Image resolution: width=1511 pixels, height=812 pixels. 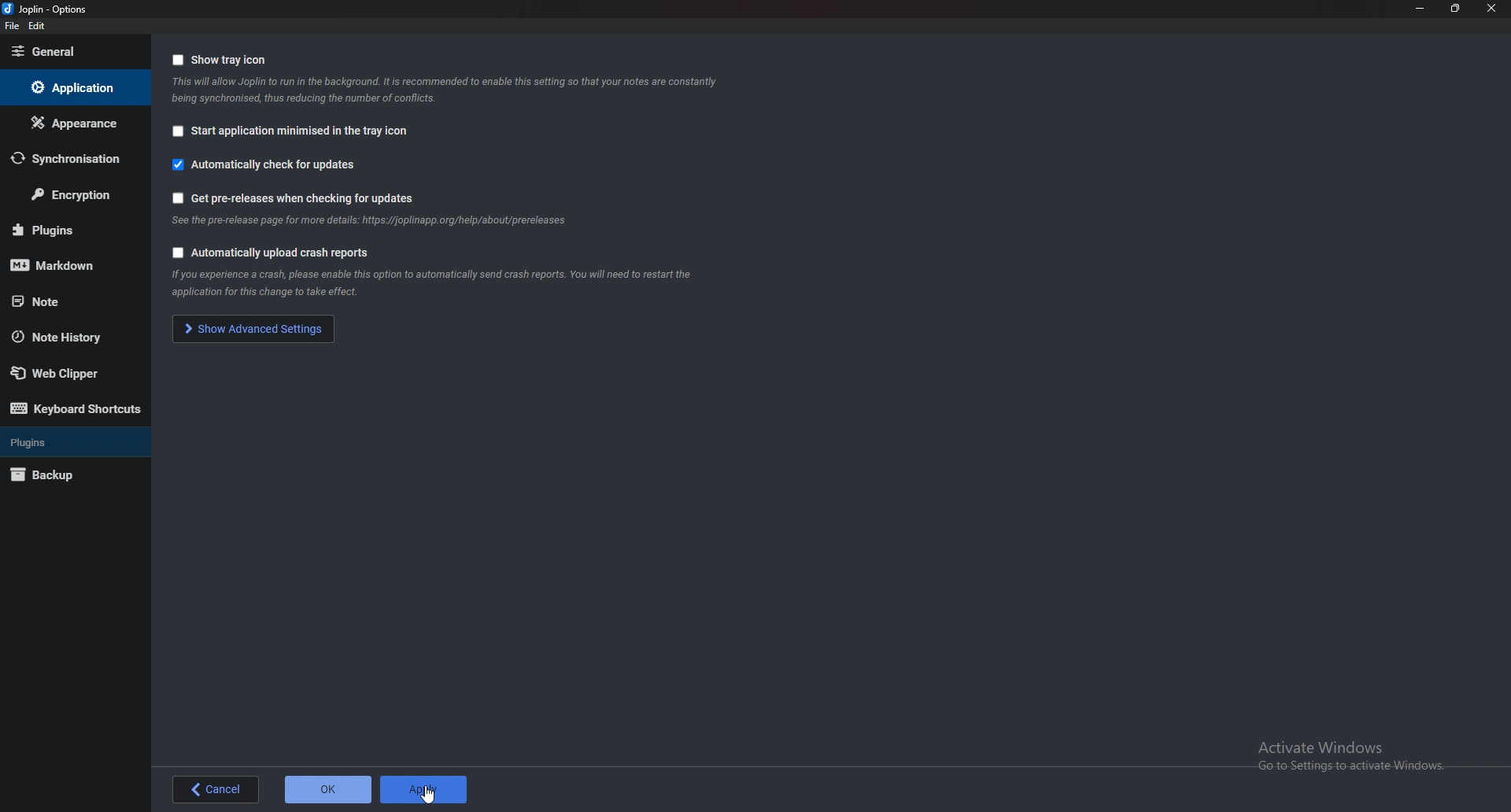 What do you see at coordinates (175, 164) in the screenshot?
I see `Checkbox ` at bounding box center [175, 164].